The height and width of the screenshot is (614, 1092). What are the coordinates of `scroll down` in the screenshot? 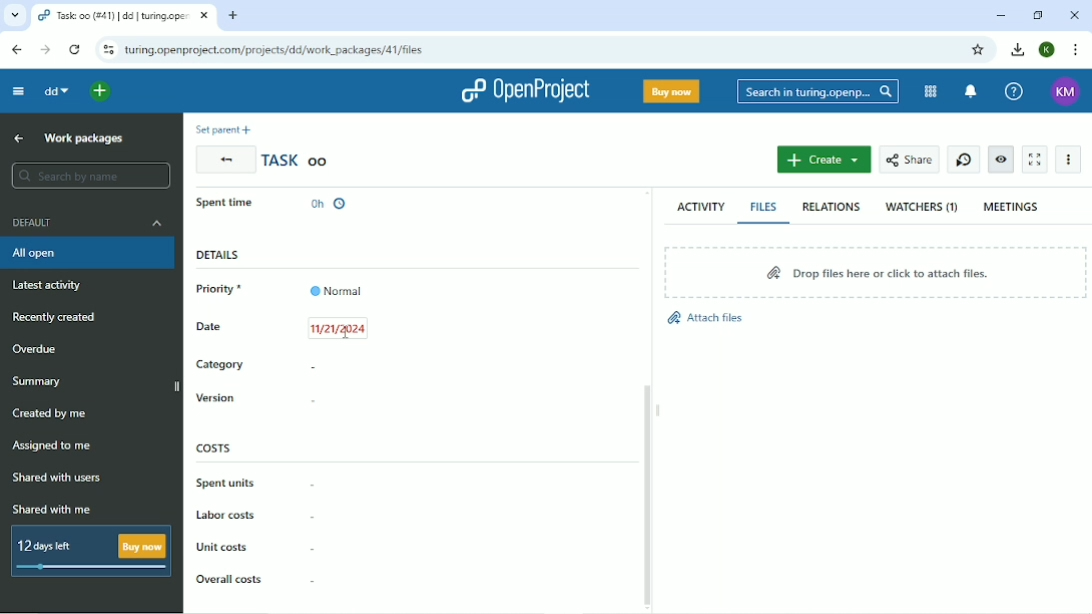 It's located at (648, 607).